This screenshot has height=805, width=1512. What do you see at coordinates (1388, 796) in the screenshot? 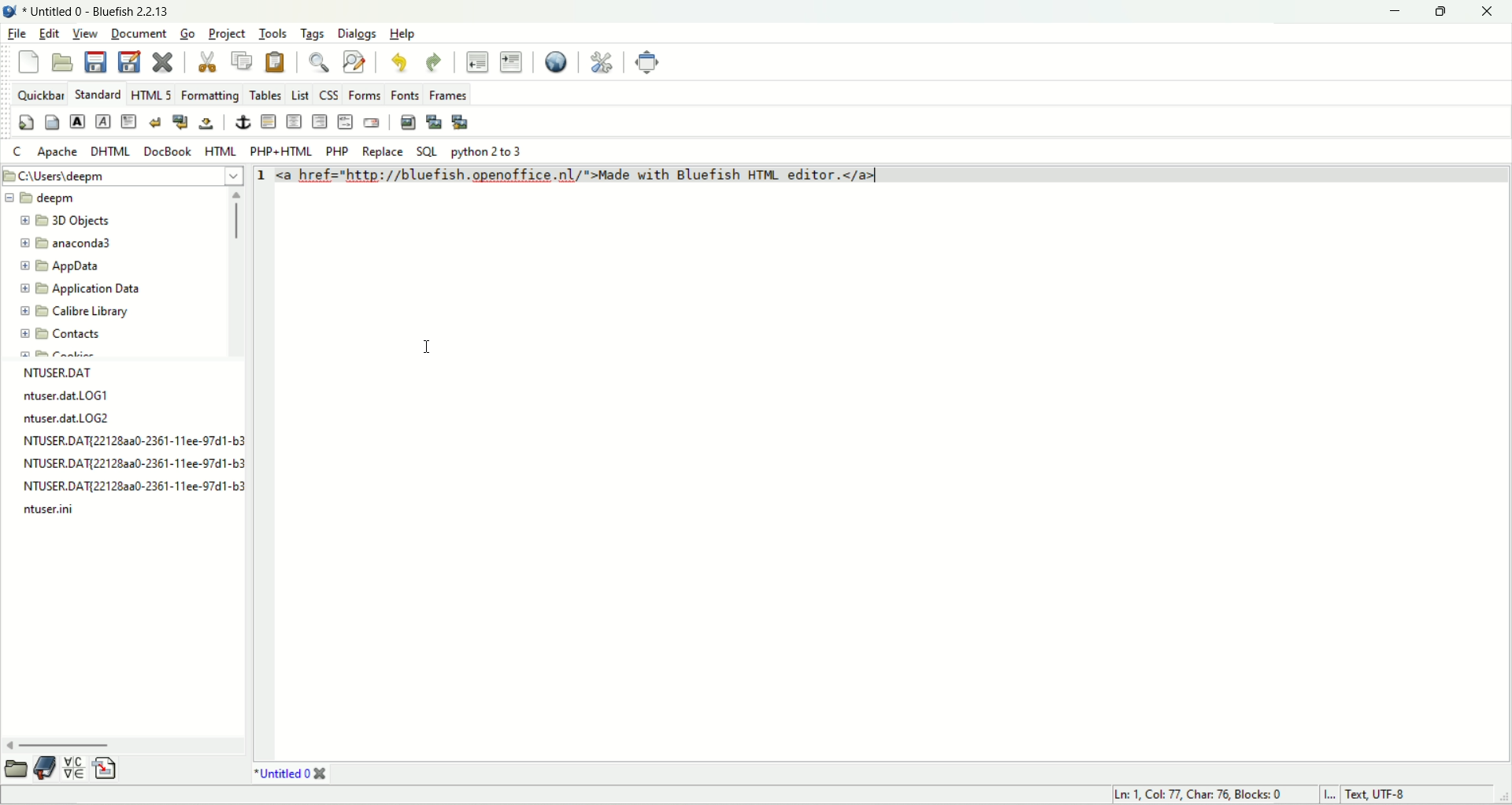
I see `text, UTF-8` at bounding box center [1388, 796].